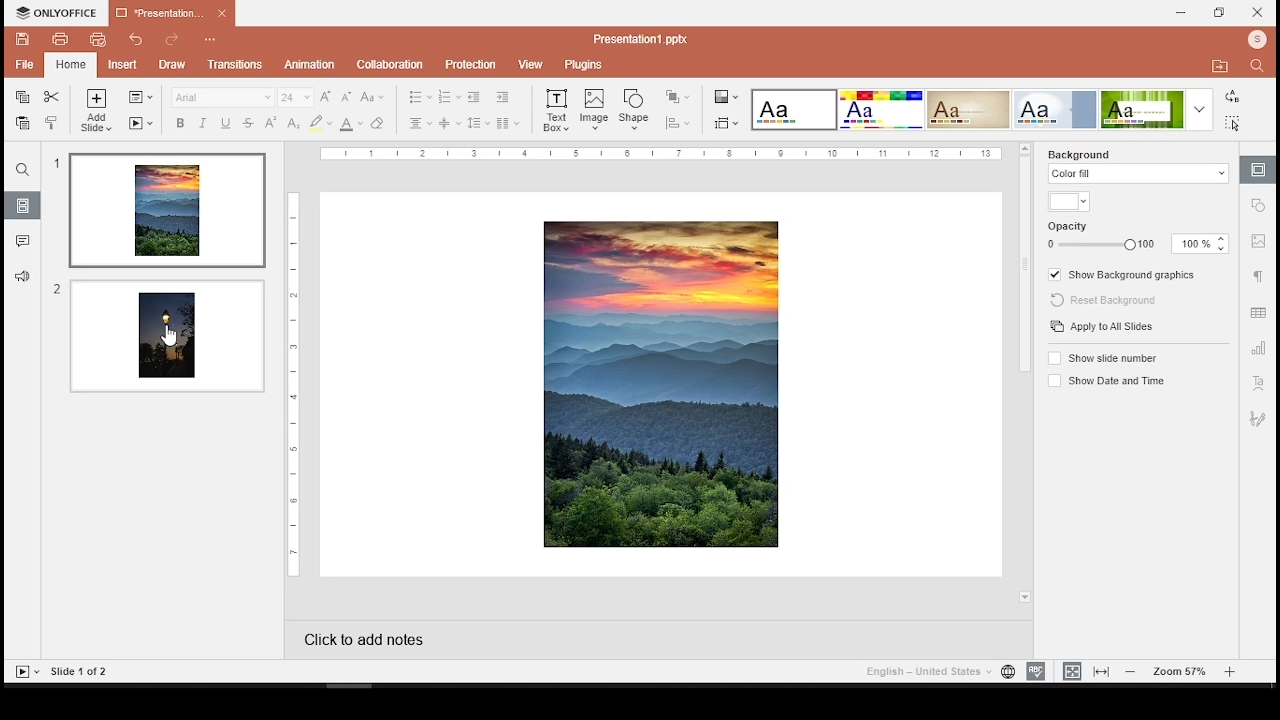  Describe the element at coordinates (529, 63) in the screenshot. I see `view` at that location.